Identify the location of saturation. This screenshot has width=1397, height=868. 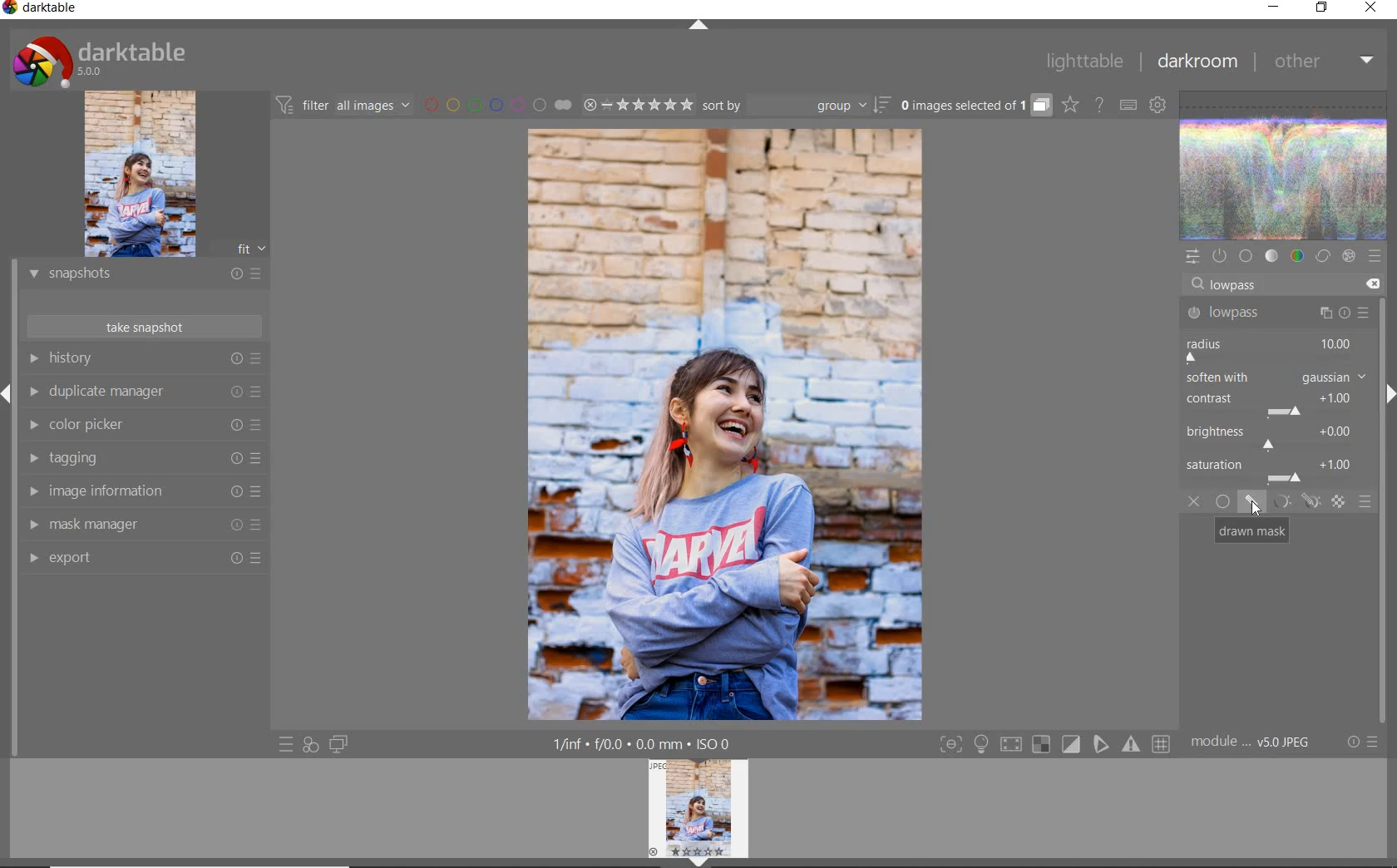
(1275, 470).